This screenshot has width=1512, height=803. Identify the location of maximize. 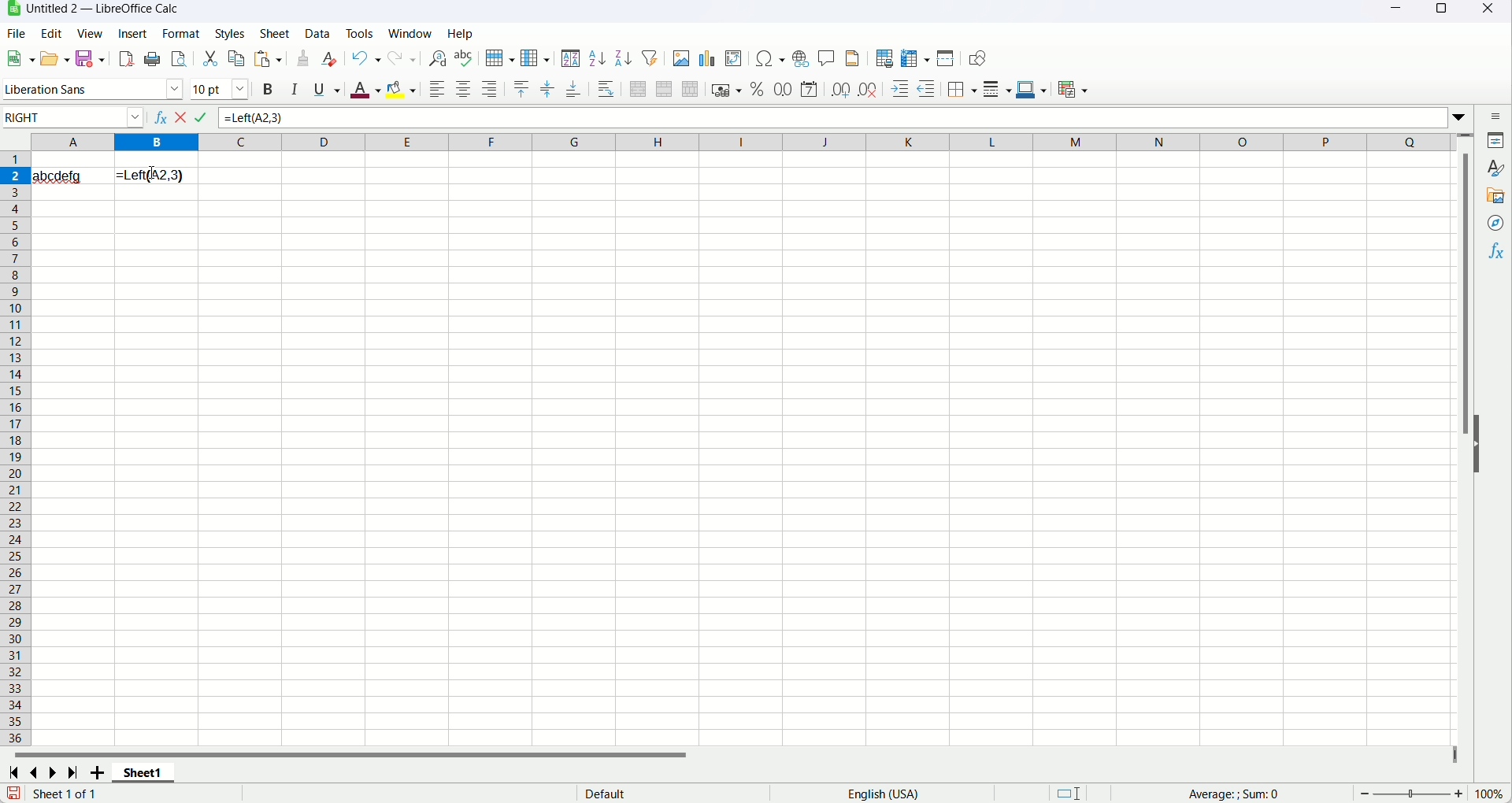
(1438, 9).